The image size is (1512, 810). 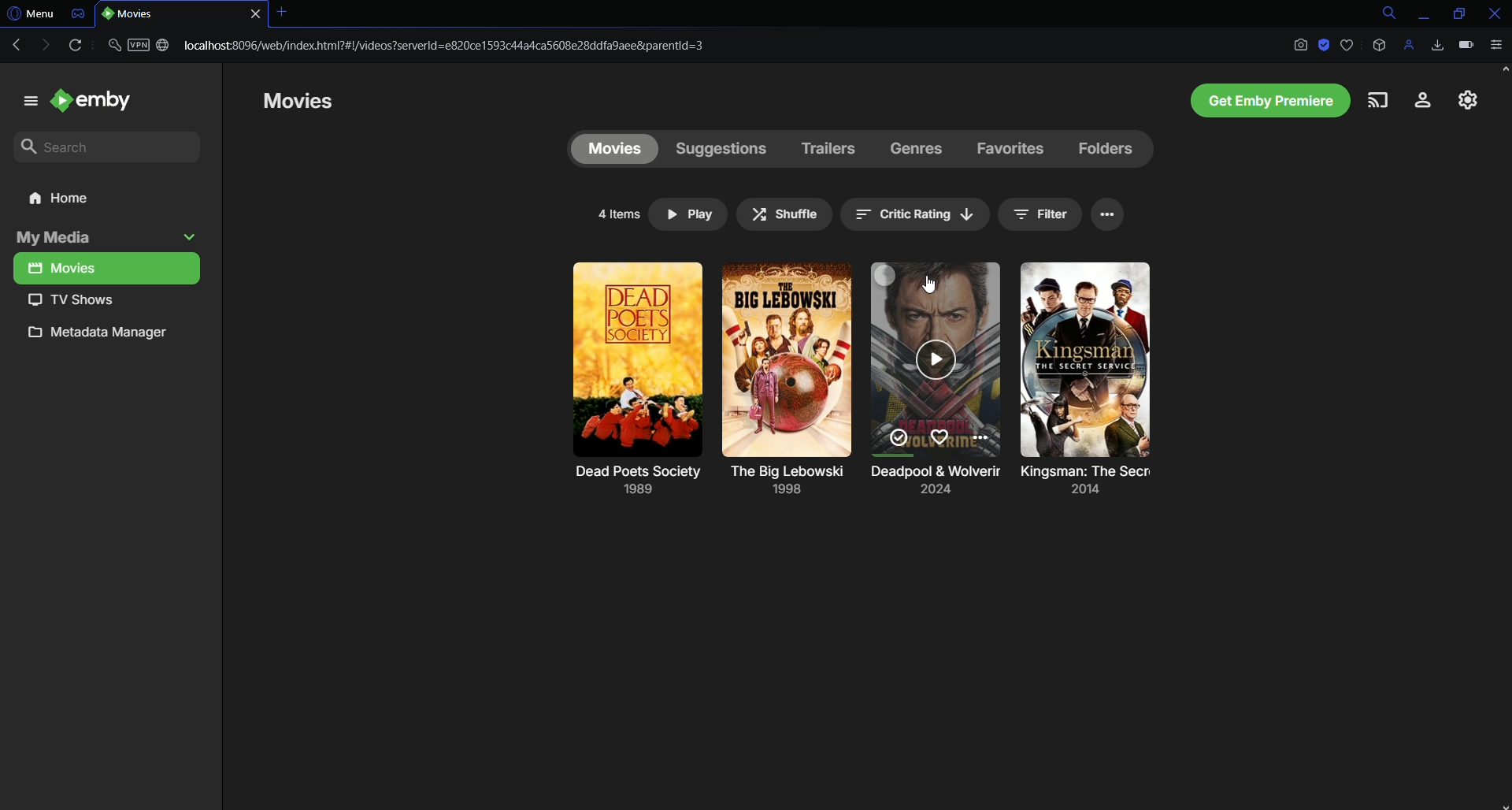 I want to click on Settings, so click(x=1462, y=102).